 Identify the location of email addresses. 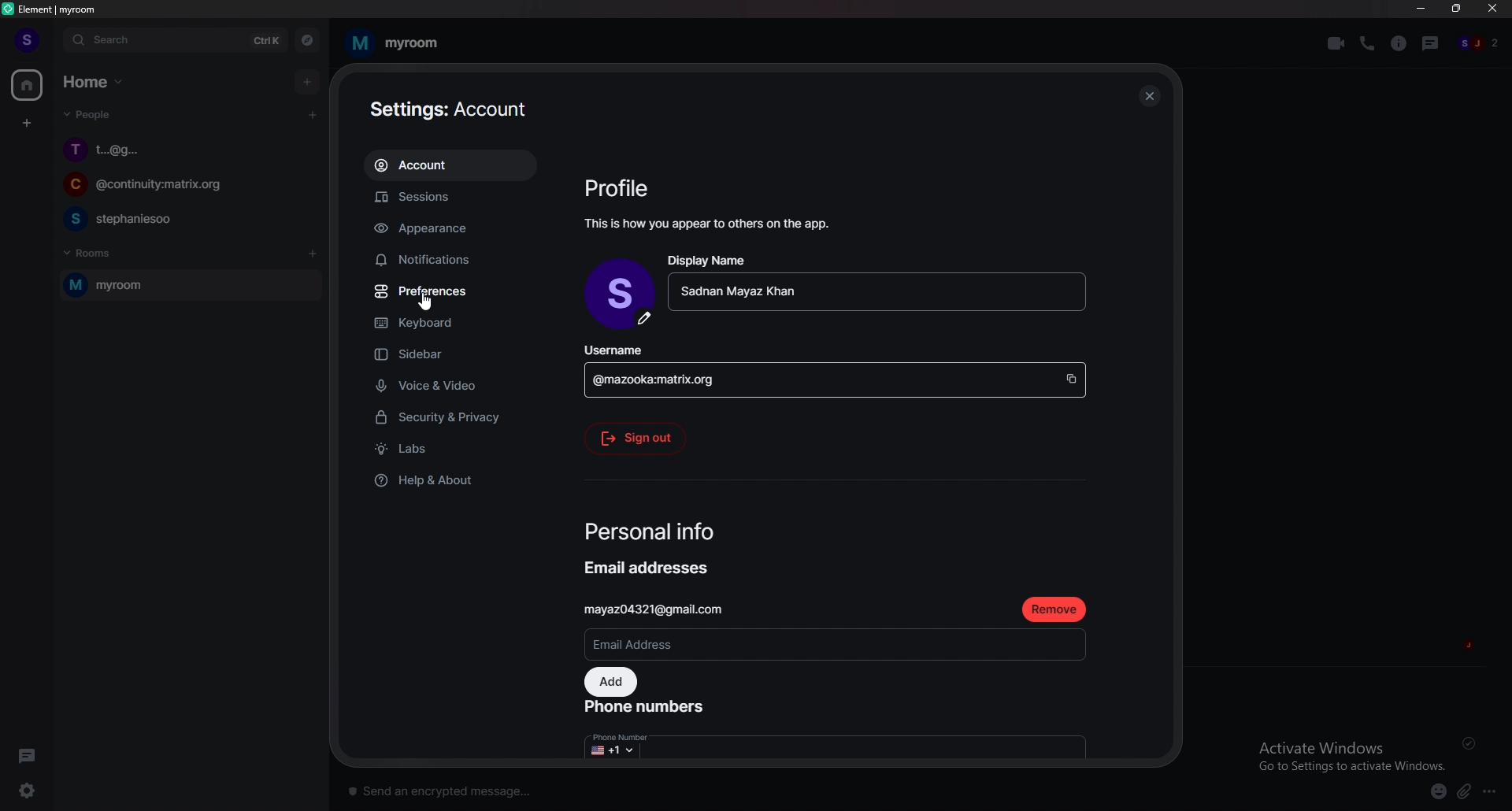
(650, 569).